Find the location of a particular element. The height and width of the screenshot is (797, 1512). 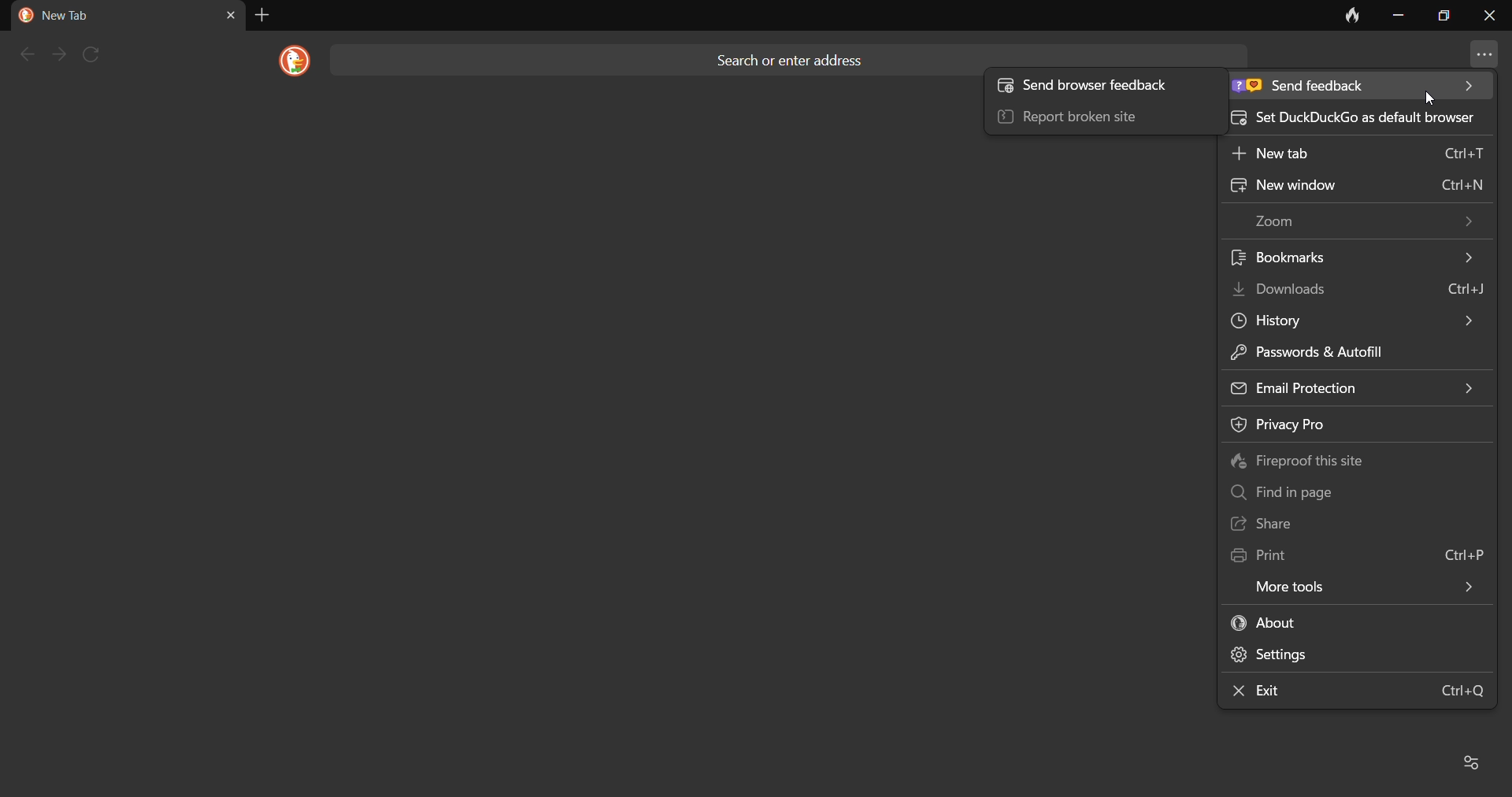

Send browser feedback is located at coordinates (1101, 87).